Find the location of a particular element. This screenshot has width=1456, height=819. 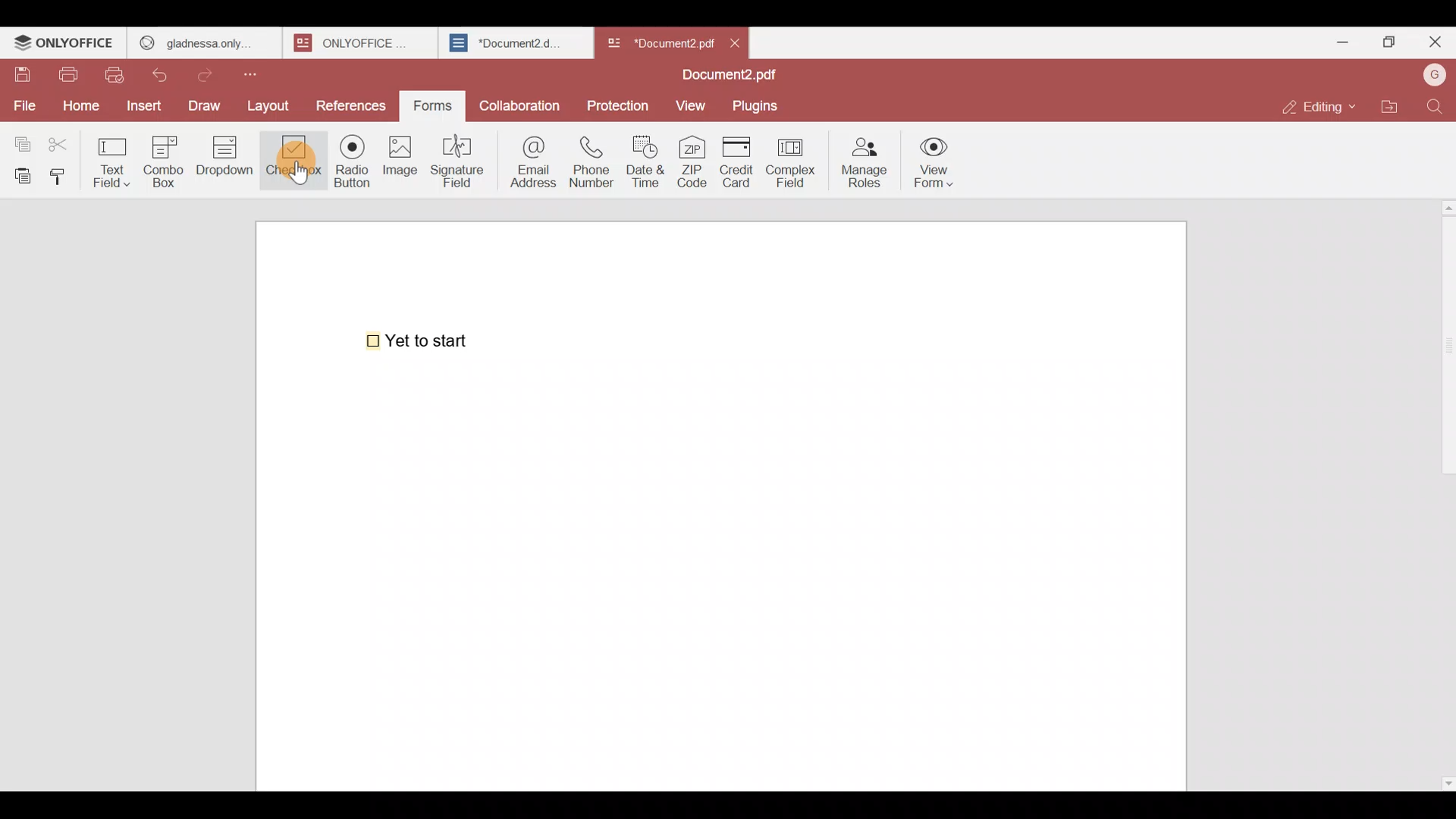

Minimize is located at coordinates (1336, 39).